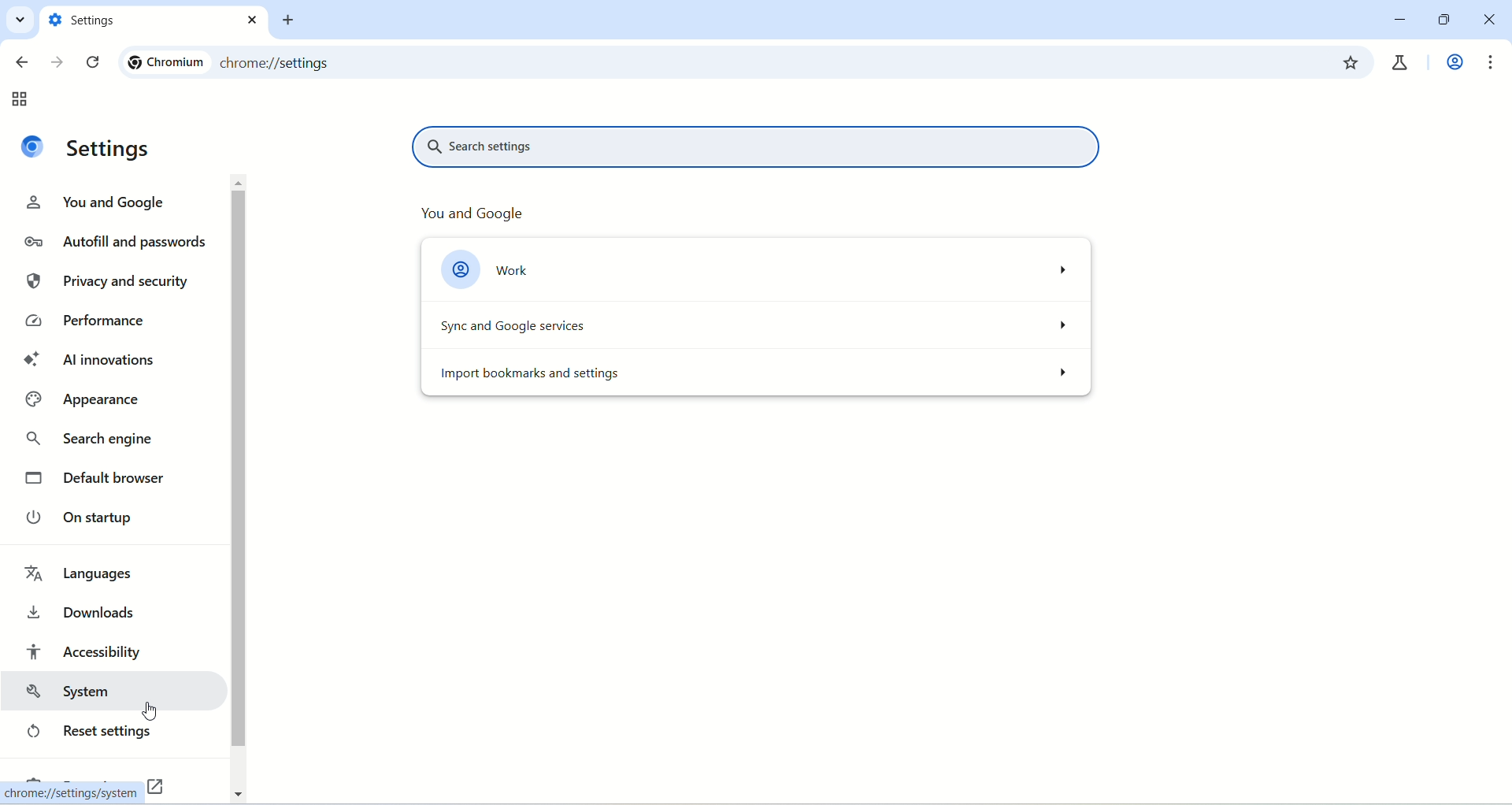 The height and width of the screenshot is (805, 1512). What do you see at coordinates (1400, 20) in the screenshot?
I see `minimize` at bounding box center [1400, 20].